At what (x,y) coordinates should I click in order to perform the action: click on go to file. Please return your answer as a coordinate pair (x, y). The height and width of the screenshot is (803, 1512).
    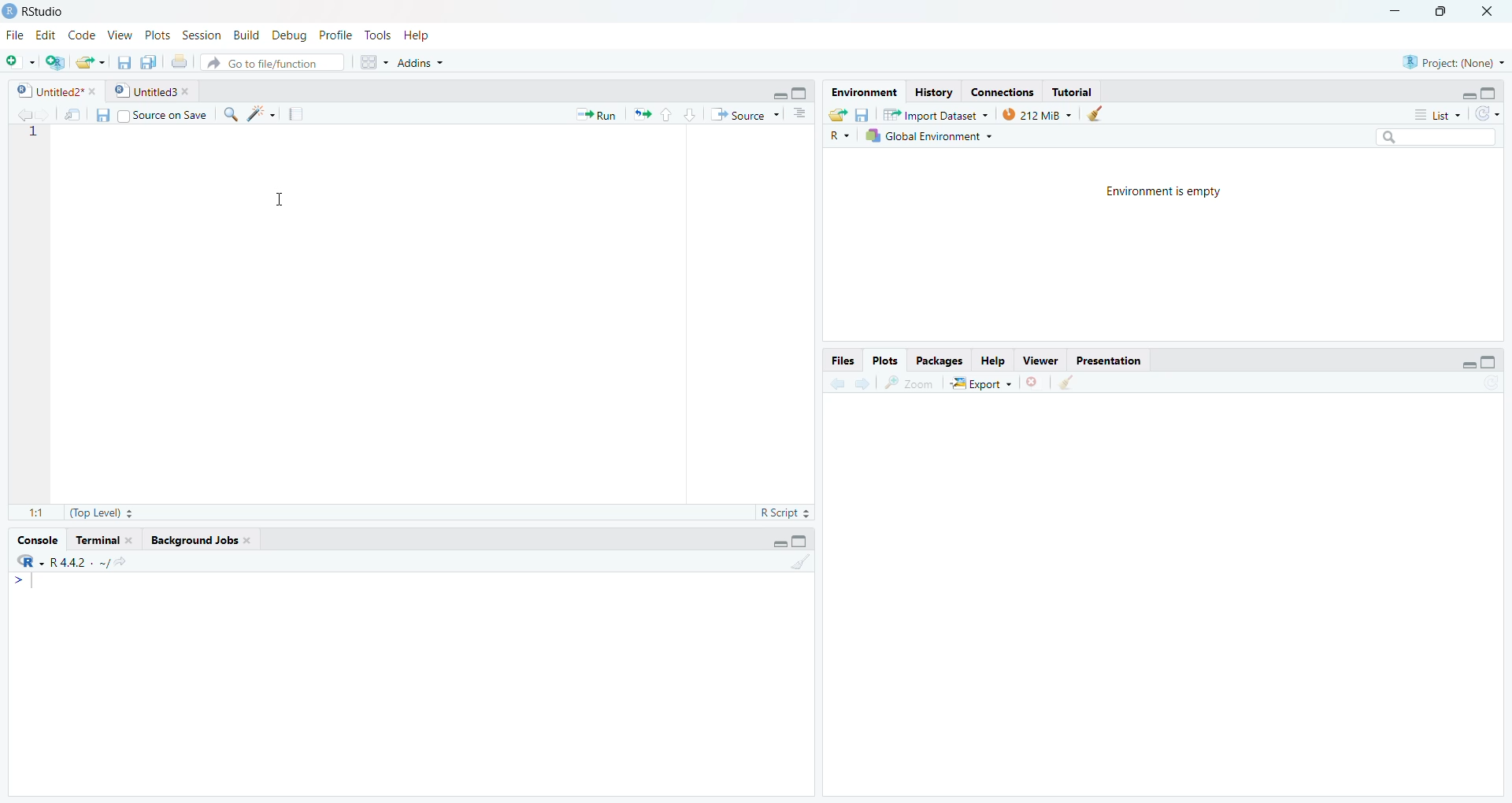
    Looking at the image, I should click on (269, 62).